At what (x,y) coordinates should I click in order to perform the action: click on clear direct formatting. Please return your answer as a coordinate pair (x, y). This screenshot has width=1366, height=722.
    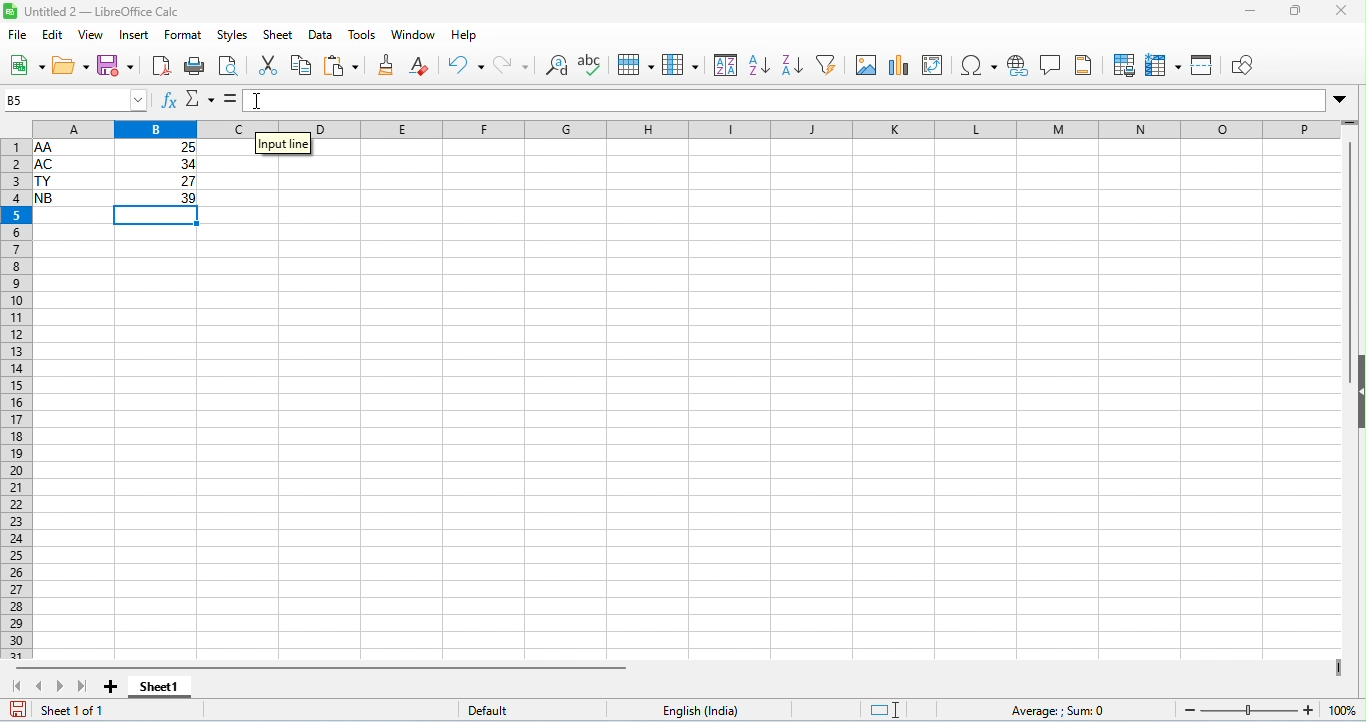
    Looking at the image, I should click on (423, 65).